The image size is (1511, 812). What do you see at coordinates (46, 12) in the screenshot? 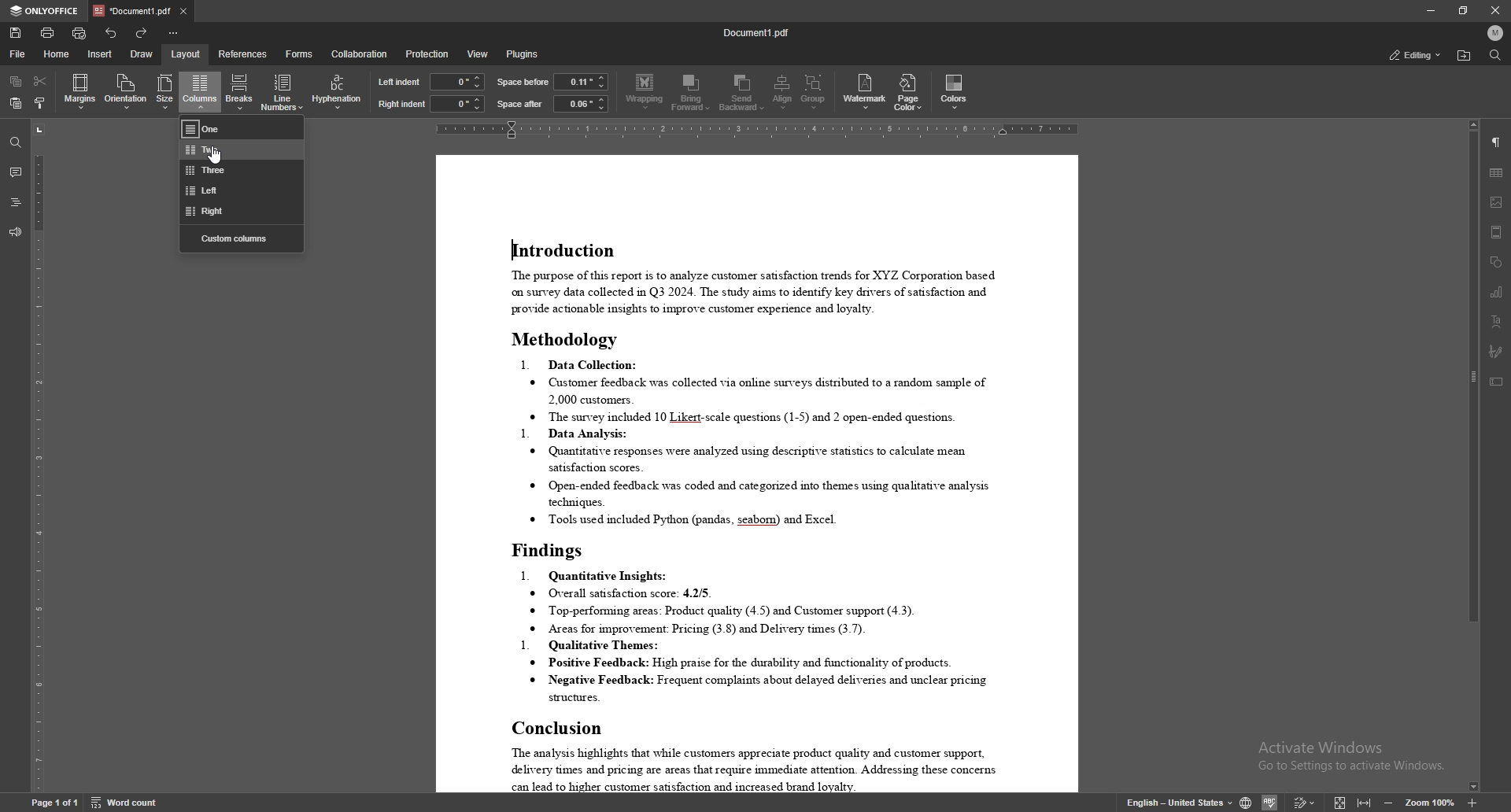
I see `onlyoffice` at bounding box center [46, 12].